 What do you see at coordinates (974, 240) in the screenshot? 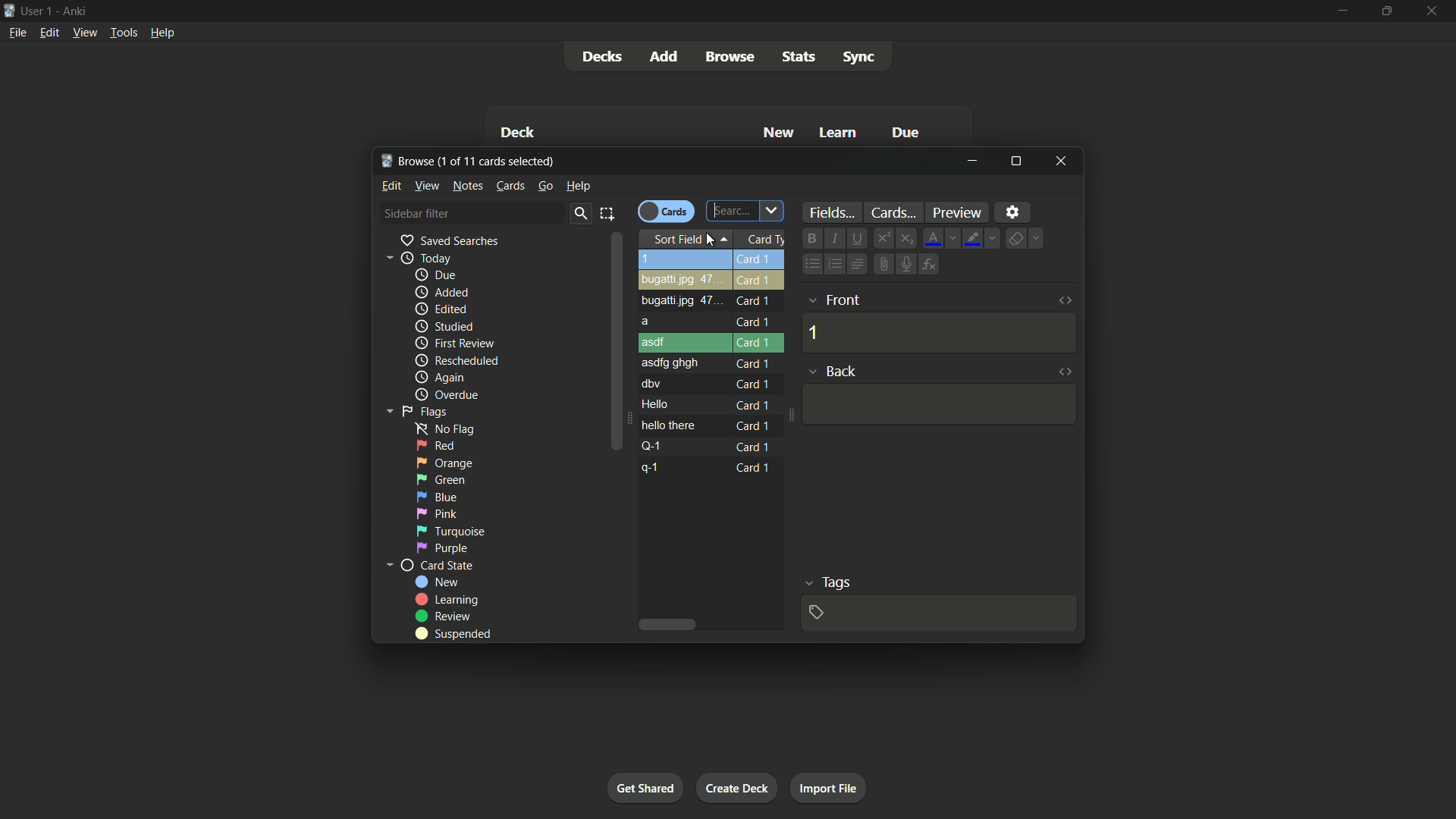
I see `text highlight` at bounding box center [974, 240].